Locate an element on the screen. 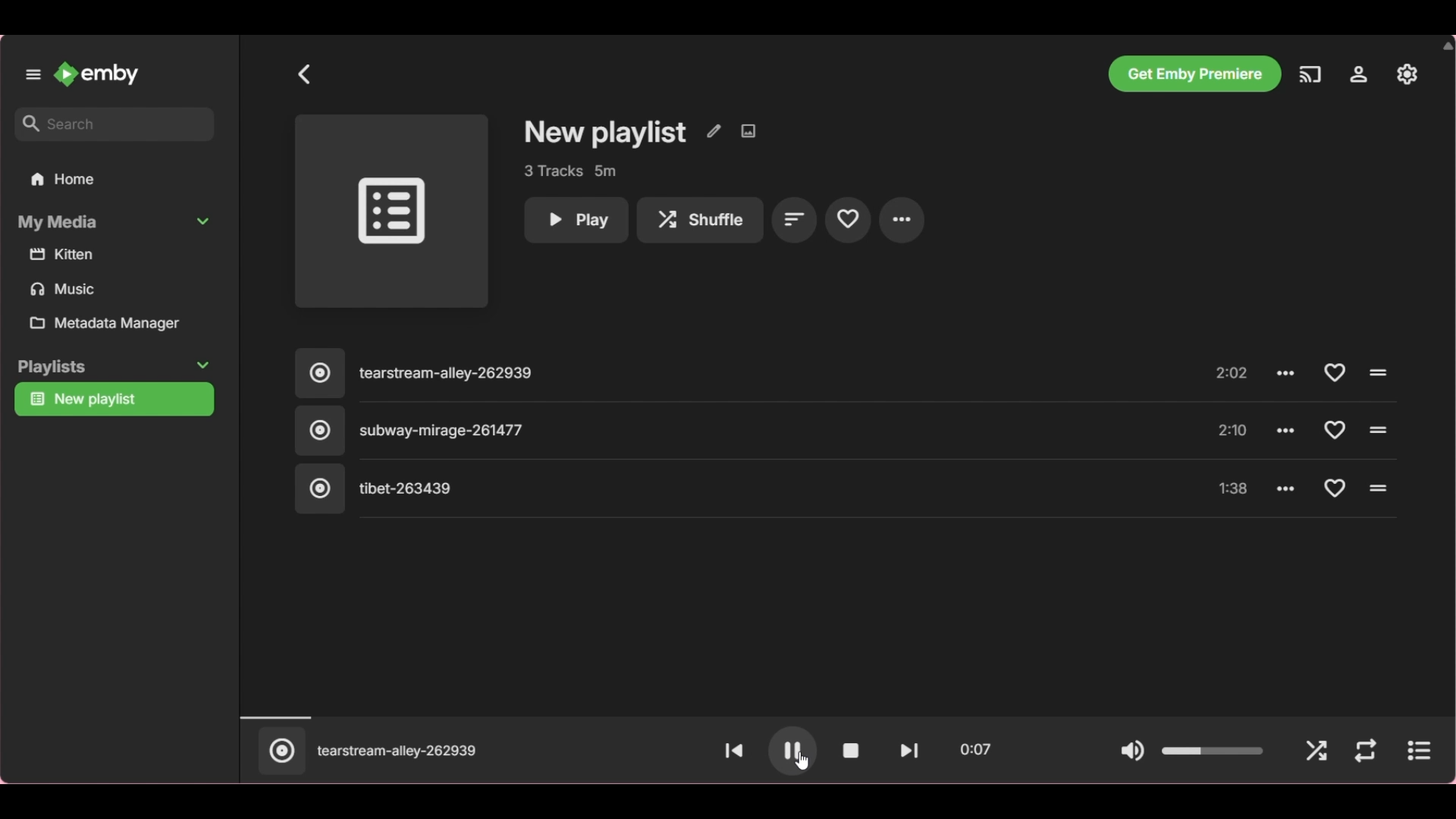 The image size is (1456, 819). Play button changed to pause button after playing current selection is located at coordinates (792, 751).